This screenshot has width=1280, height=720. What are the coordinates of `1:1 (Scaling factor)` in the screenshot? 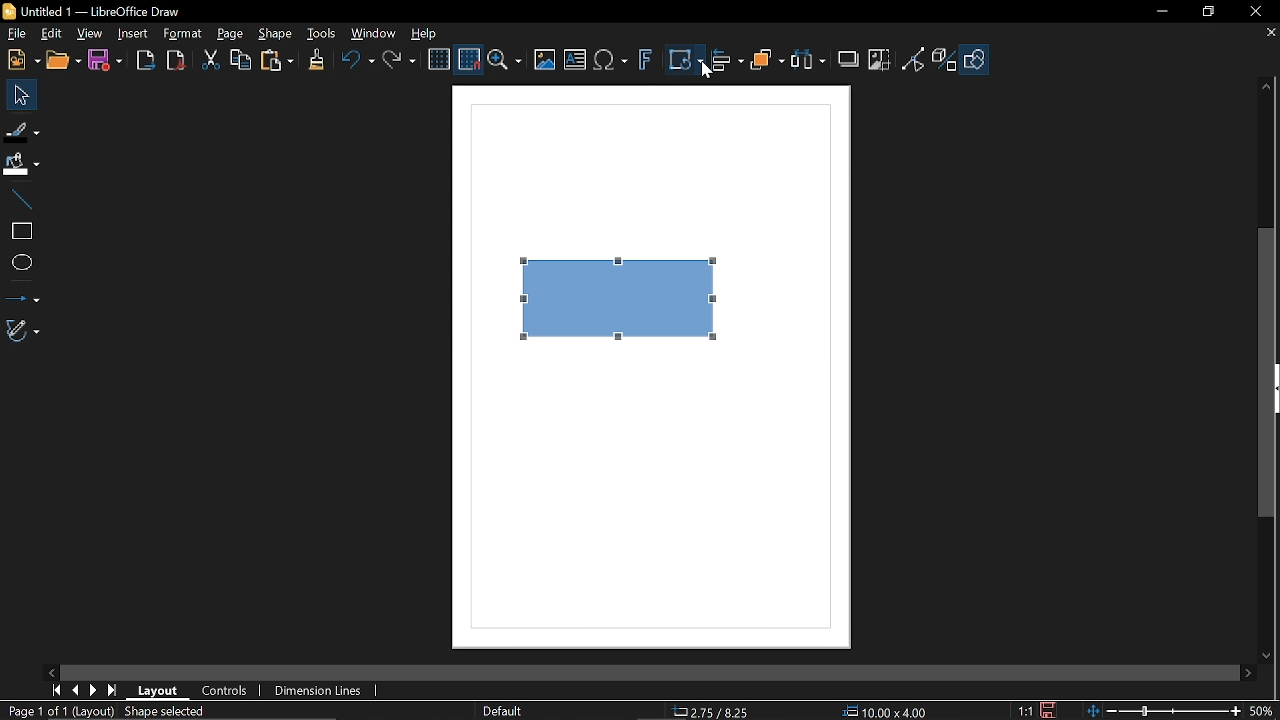 It's located at (1025, 711).